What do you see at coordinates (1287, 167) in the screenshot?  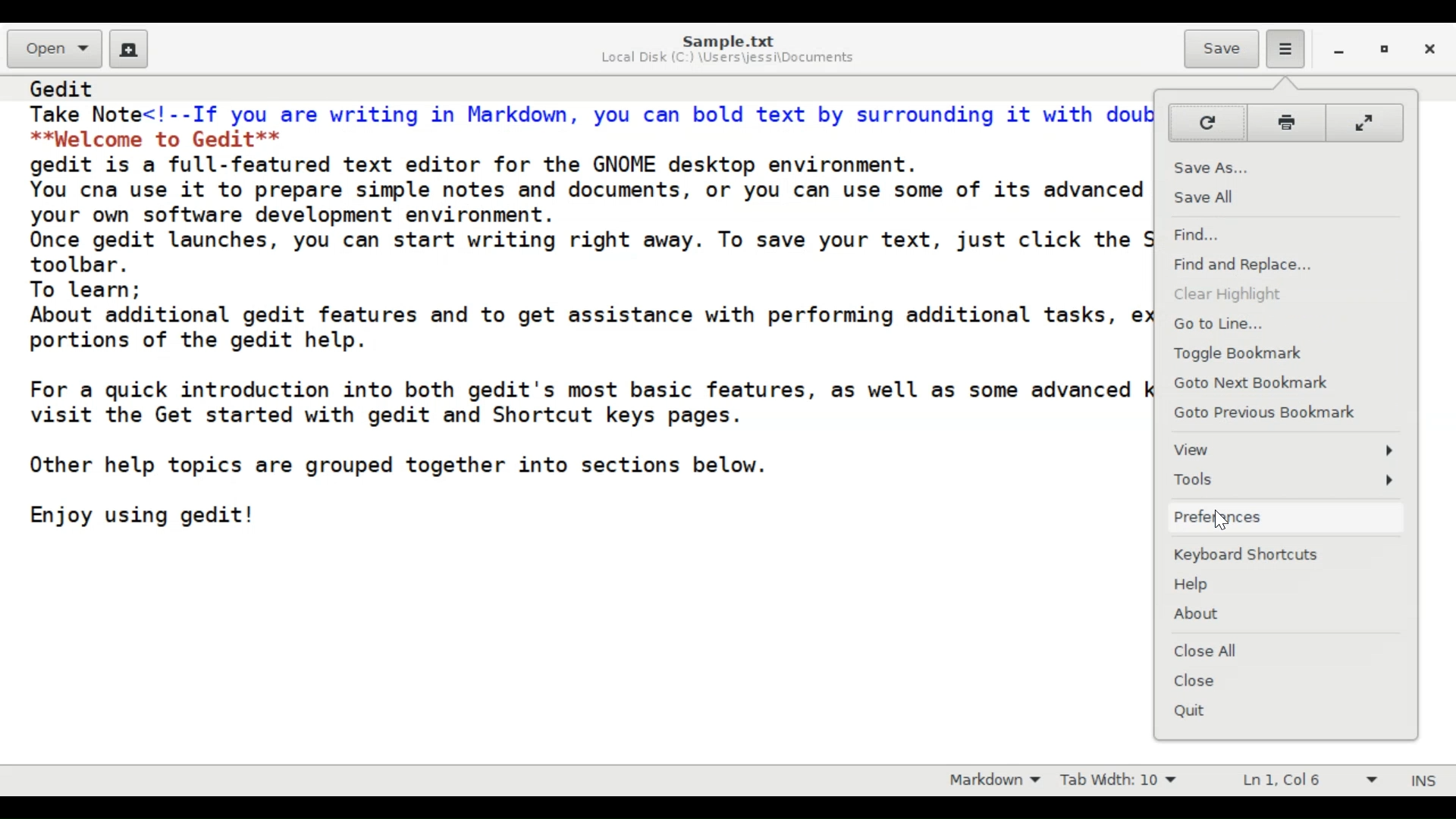 I see `Save As` at bounding box center [1287, 167].